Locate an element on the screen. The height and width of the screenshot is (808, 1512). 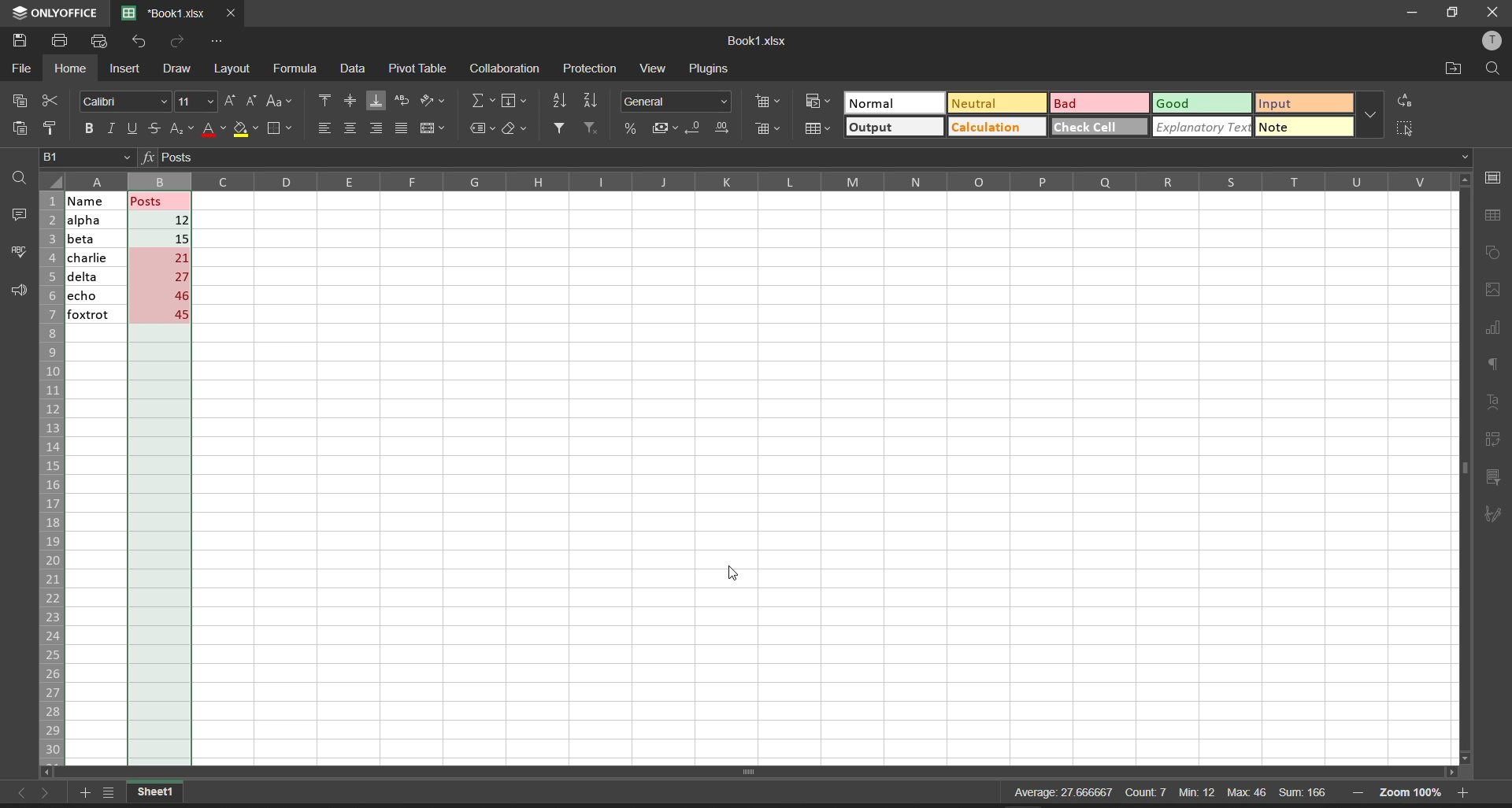
bold is located at coordinates (85, 131).